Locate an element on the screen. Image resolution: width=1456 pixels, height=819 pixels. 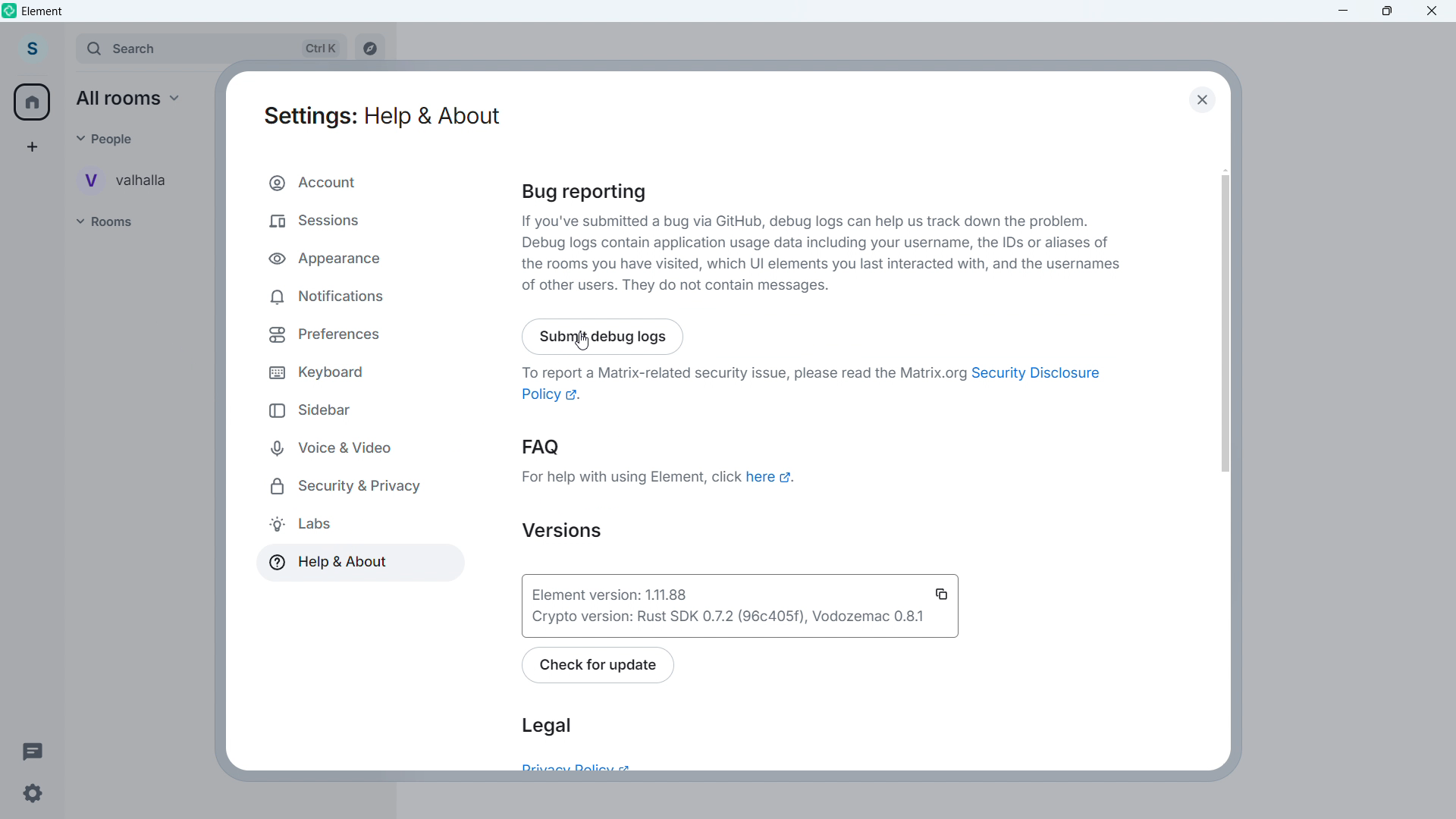
Close dialogue box  is located at coordinates (1200, 99).